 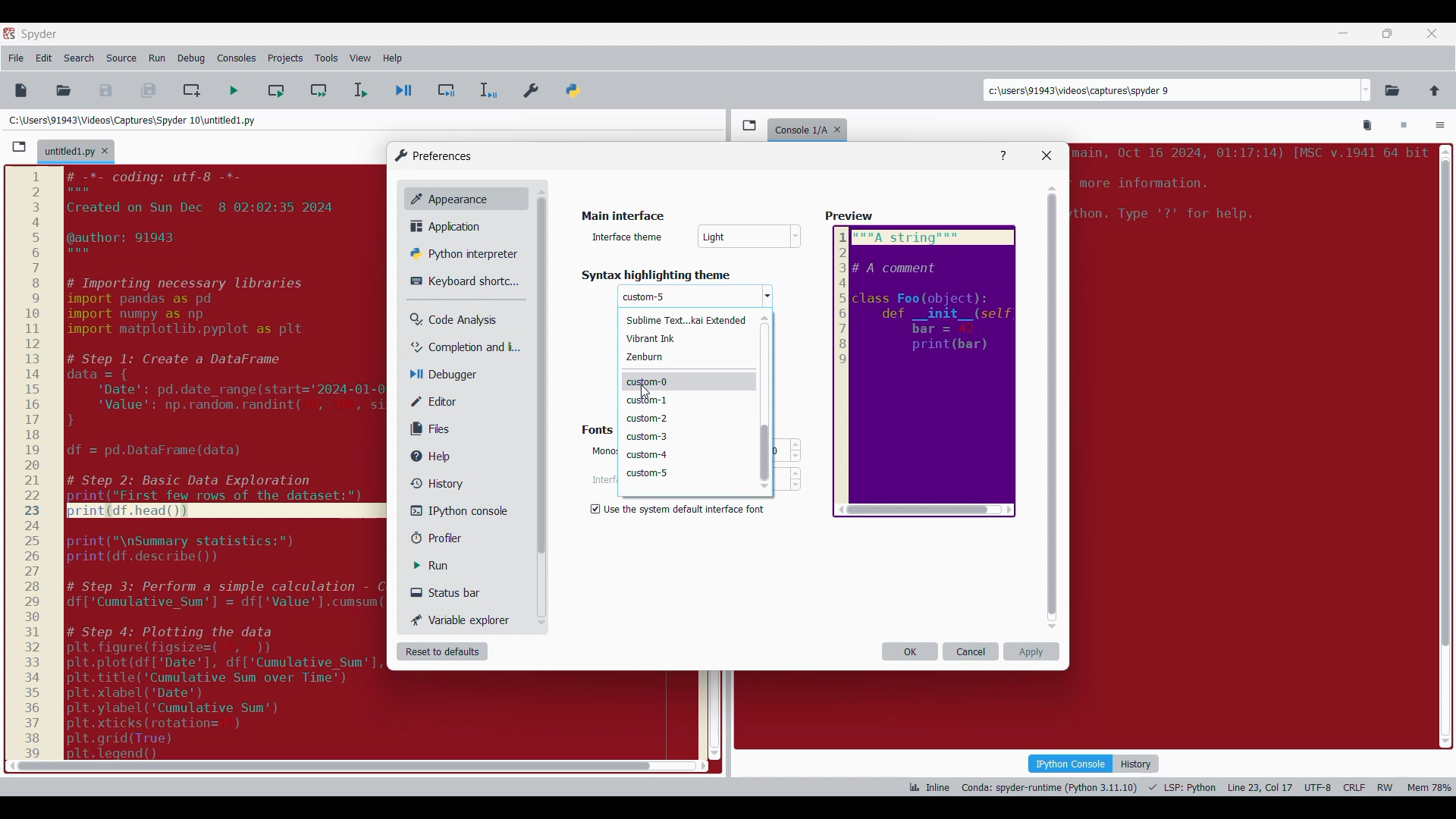 What do you see at coordinates (851, 217) in the screenshot?
I see `` at bounding box center [851, 217].